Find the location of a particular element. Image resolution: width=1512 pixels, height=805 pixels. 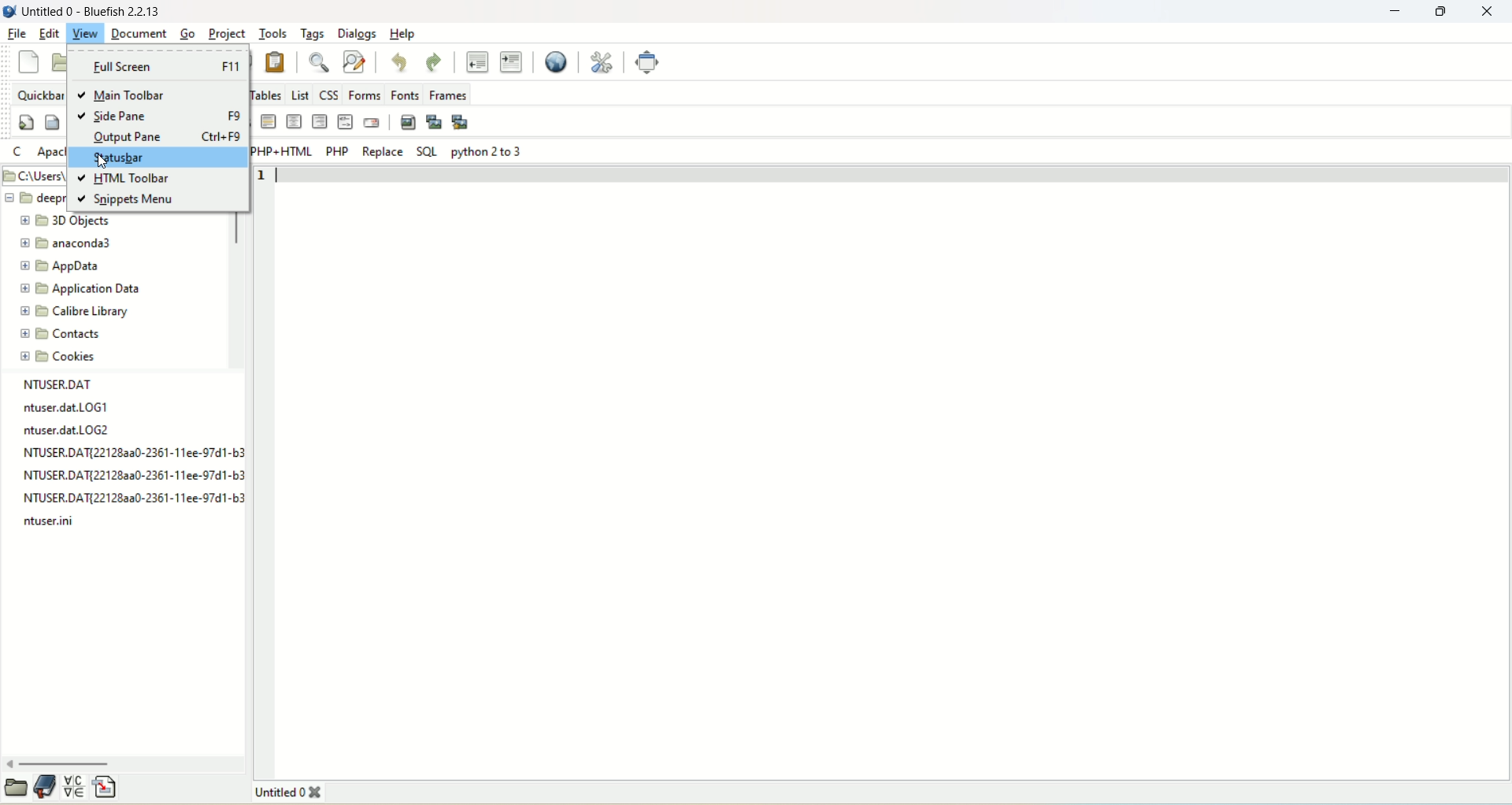

document is located at coordinates (139, 34).